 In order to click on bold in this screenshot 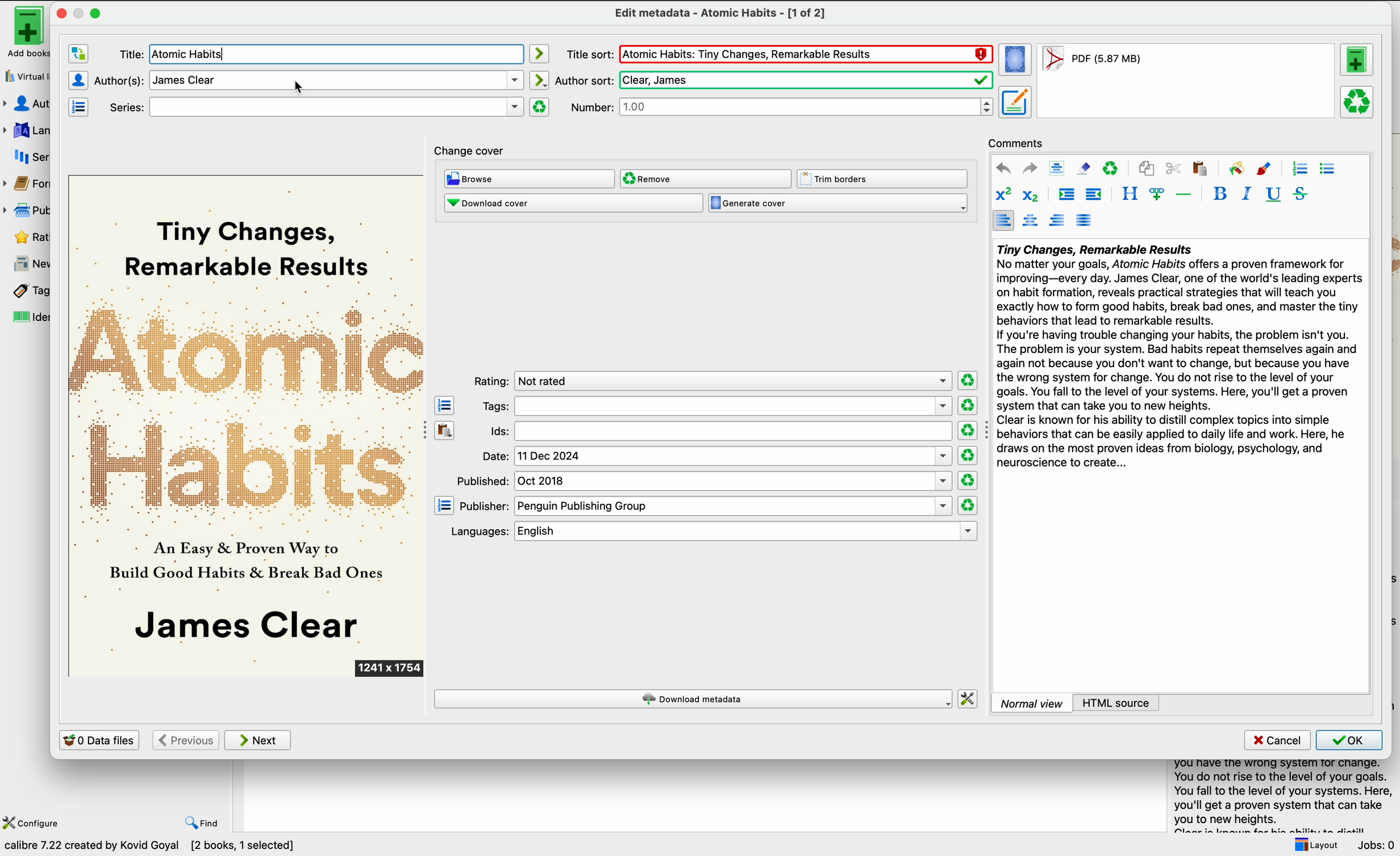, I will do `click(1220, 193)`.